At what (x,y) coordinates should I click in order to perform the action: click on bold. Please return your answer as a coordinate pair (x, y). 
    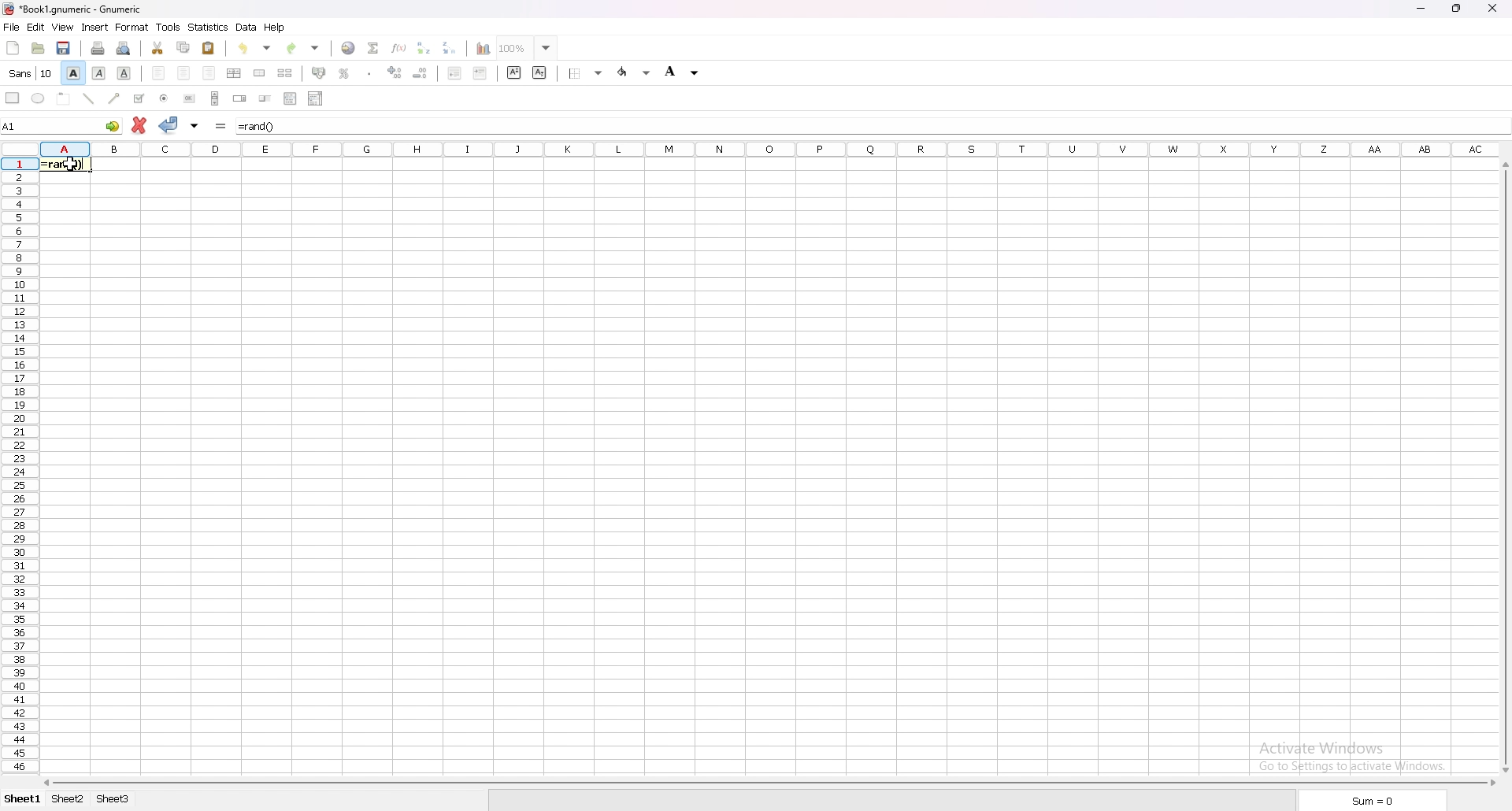
    Looking at the image, I should click on (73, 72).